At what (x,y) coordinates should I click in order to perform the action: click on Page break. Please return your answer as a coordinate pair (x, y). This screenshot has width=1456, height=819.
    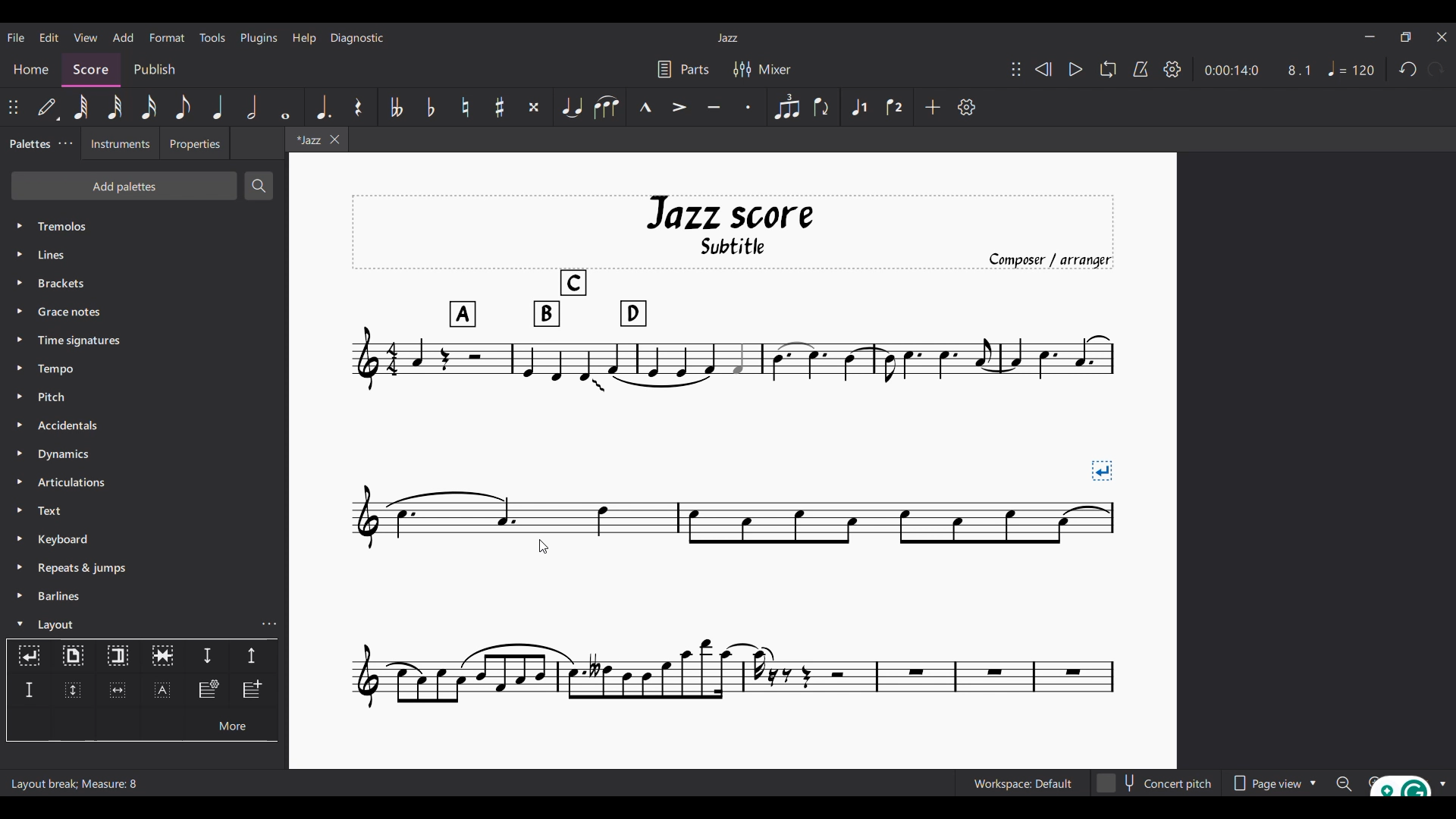
    Looking at the image, I should click on (73, 657).